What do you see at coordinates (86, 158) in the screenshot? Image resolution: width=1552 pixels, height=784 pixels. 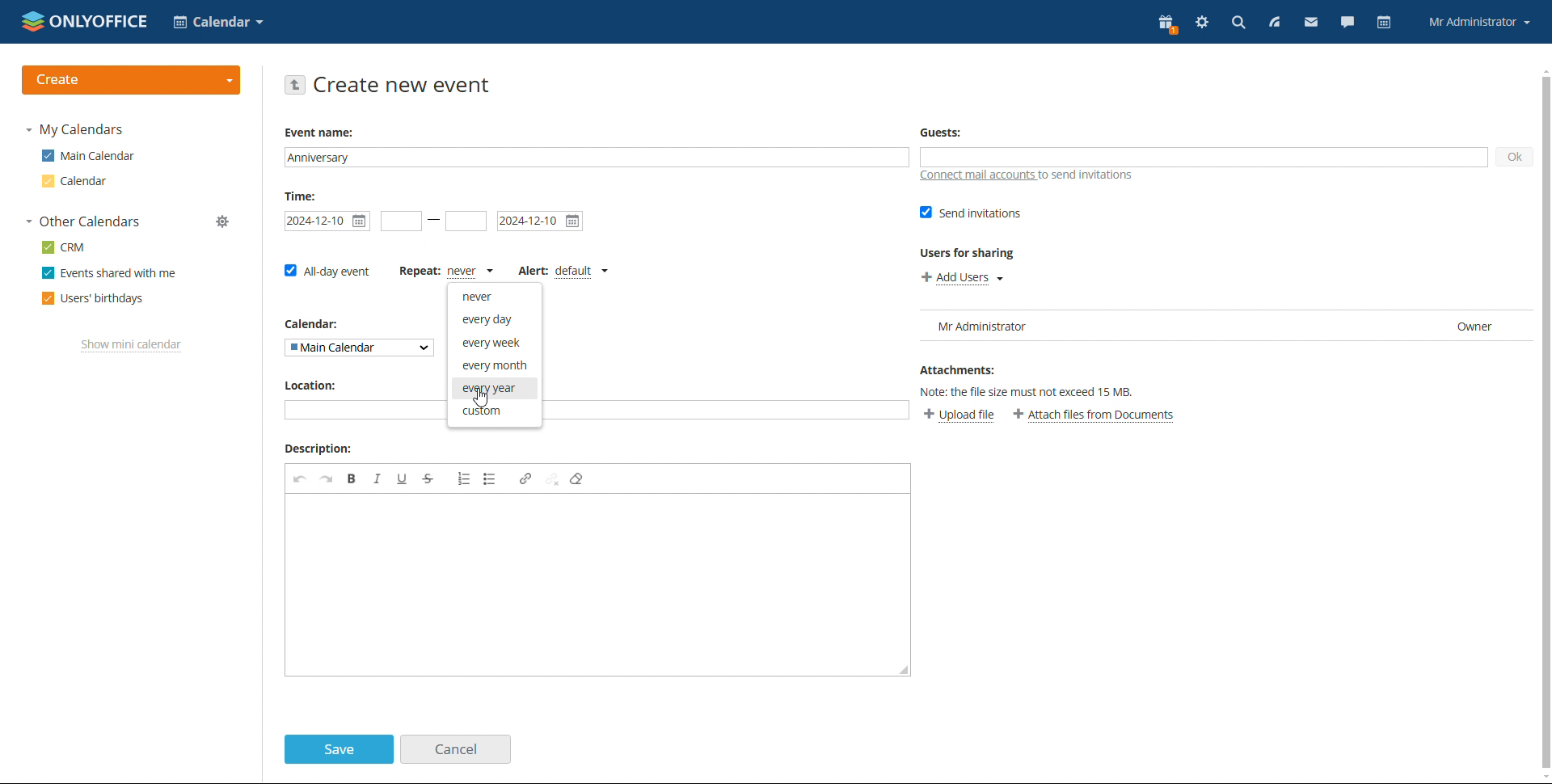 I see `main calender` at bounding box center [86, 158].